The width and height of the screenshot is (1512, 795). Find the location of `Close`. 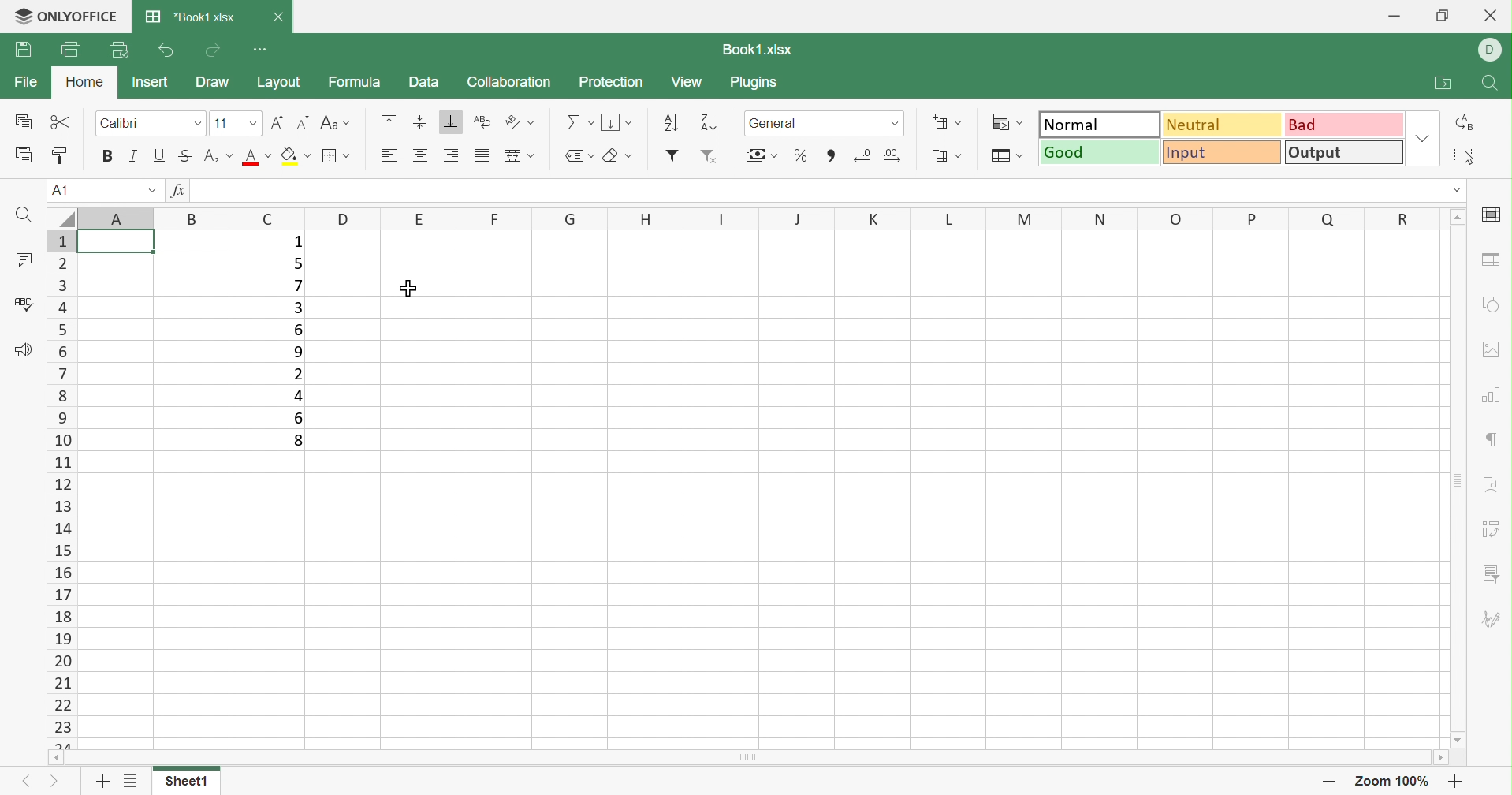

Close is located at coordinates (1495, 17).